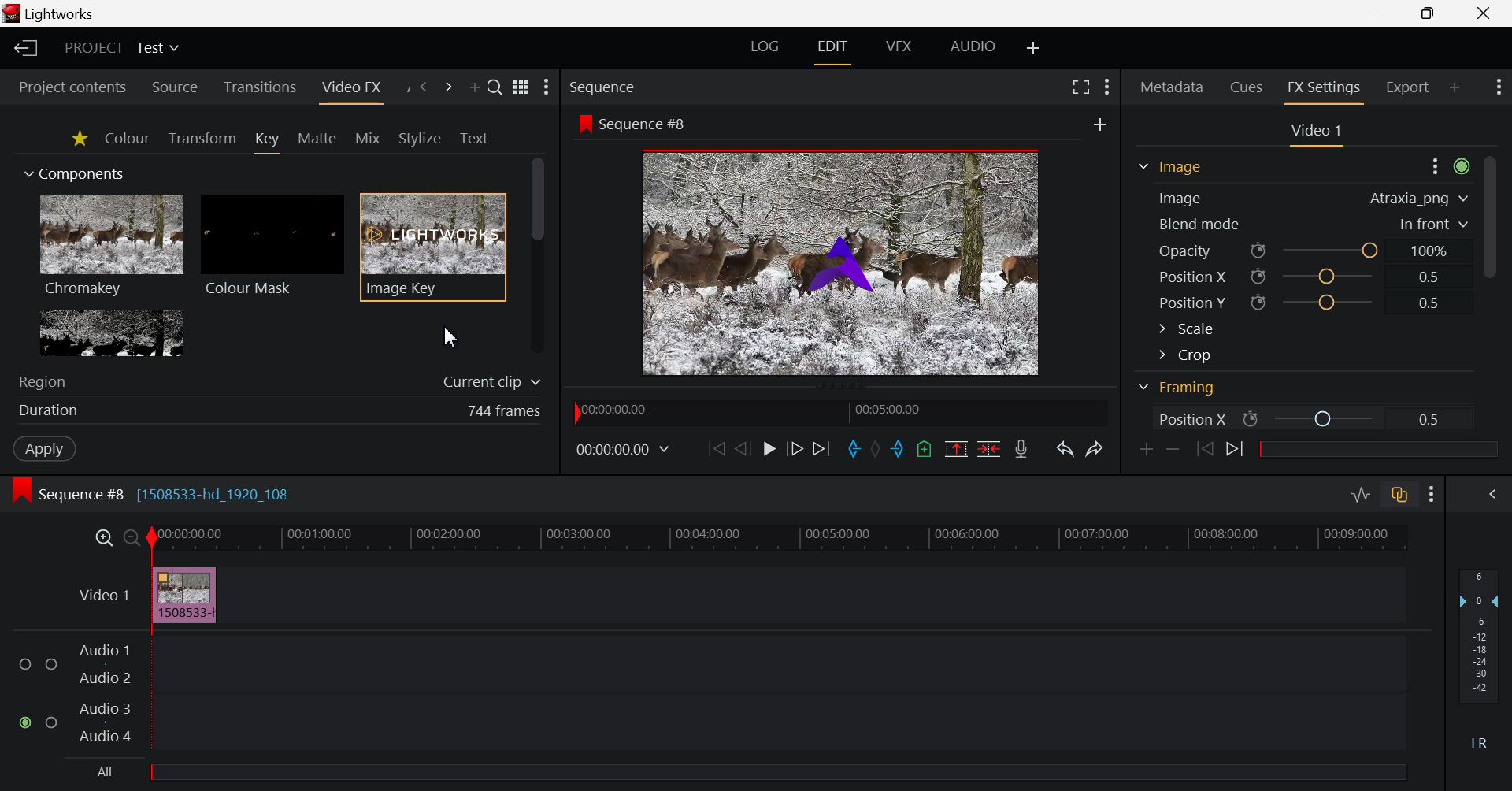 The width and height of the screenshot is (1512, 791). What do you see at coordinates (1095, 450) in the screenshot?
I see `Redo` at bounding box center [1095, 450].